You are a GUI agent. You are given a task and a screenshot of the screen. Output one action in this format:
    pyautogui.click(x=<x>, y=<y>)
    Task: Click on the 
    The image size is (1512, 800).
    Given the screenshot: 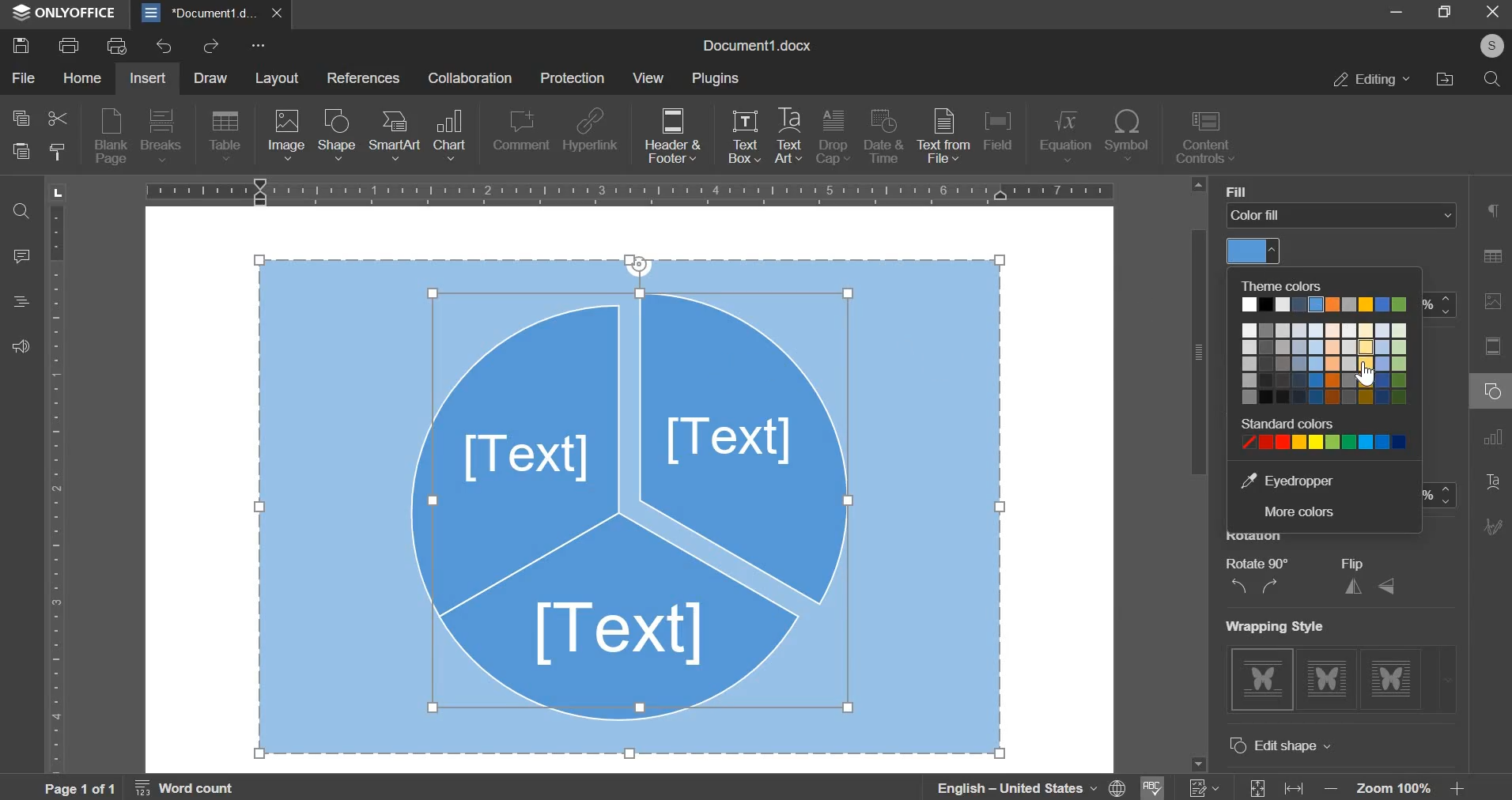 What is the action you would take?
    pyautogui.click(x=1354, y=563)
    